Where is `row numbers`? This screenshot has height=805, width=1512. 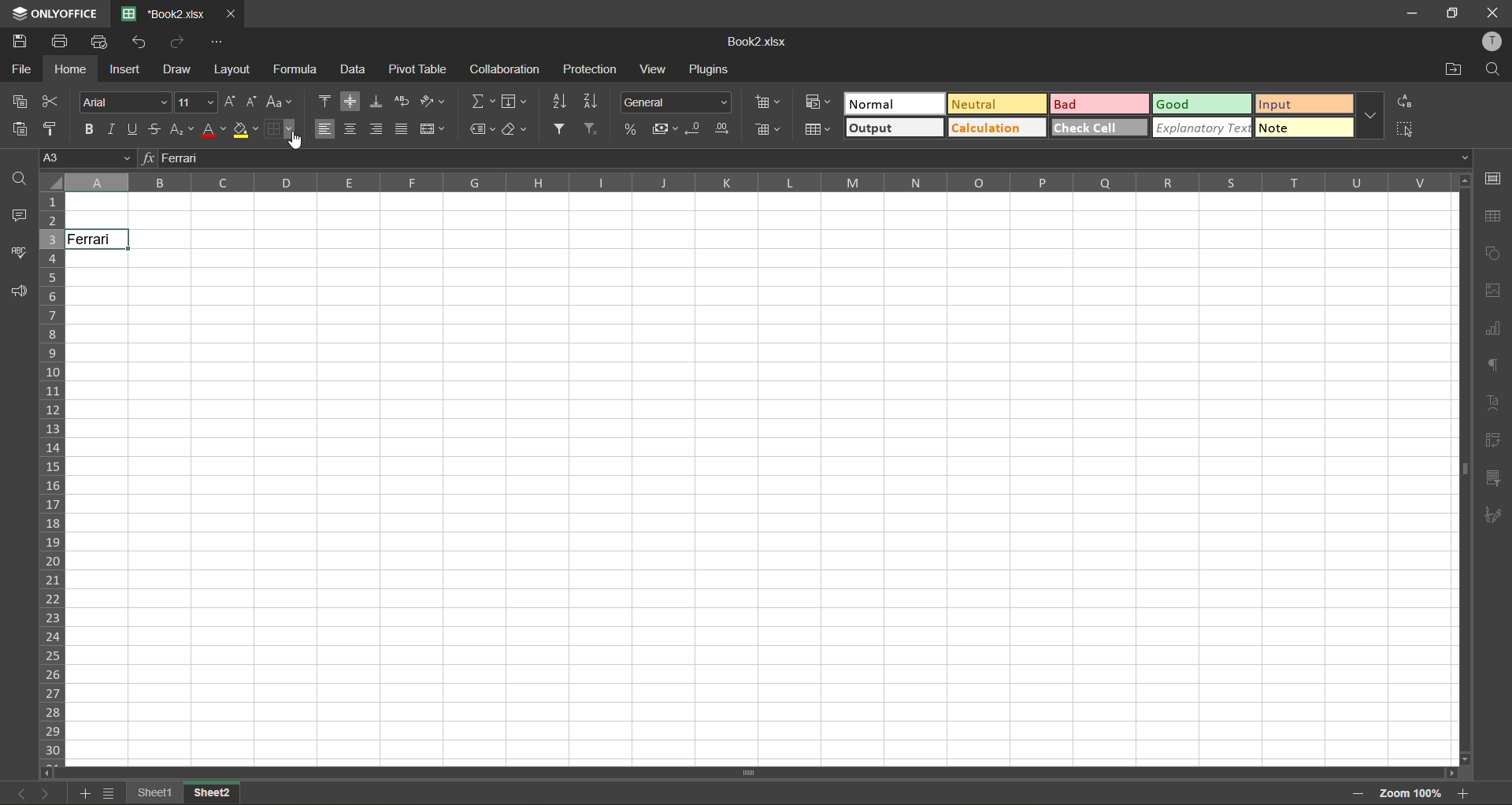 row numbers is located at coordinates (52, 476).